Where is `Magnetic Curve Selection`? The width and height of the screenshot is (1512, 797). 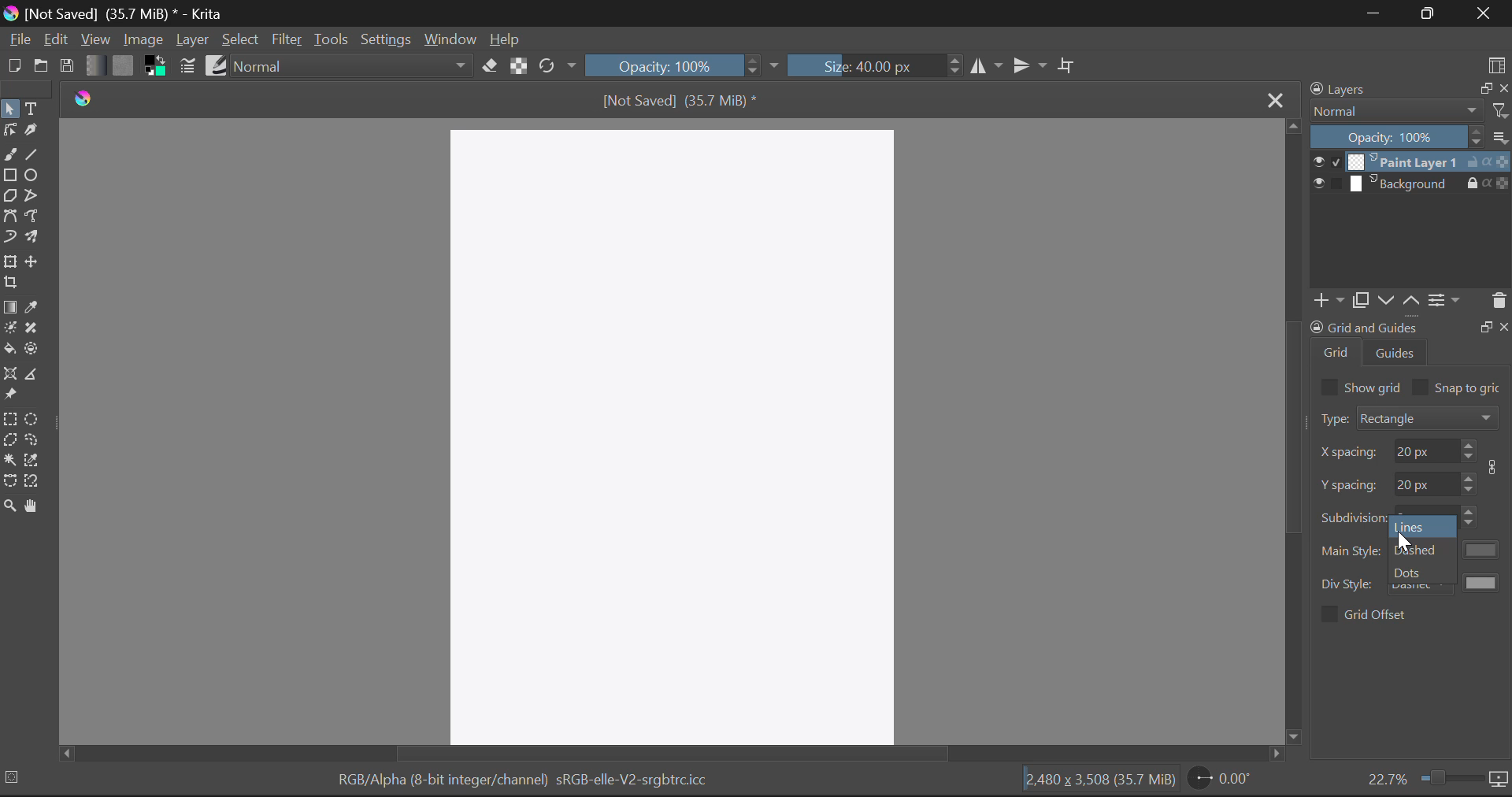
Magnetic Curve Selection is located at coordinates (34, 482).